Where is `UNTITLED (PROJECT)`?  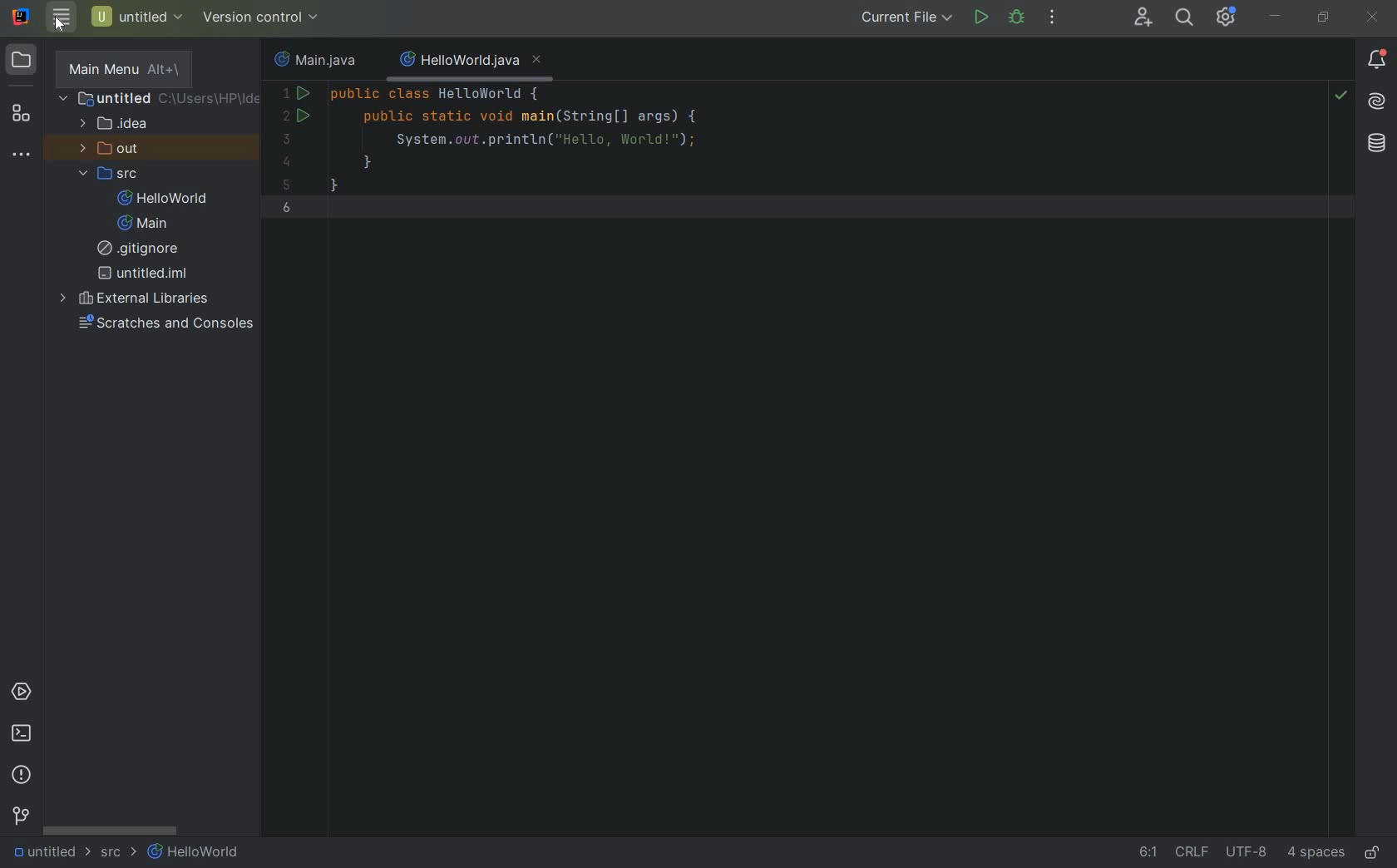
UNTITLED (PROJECT) is located at coordinates (160, 100).